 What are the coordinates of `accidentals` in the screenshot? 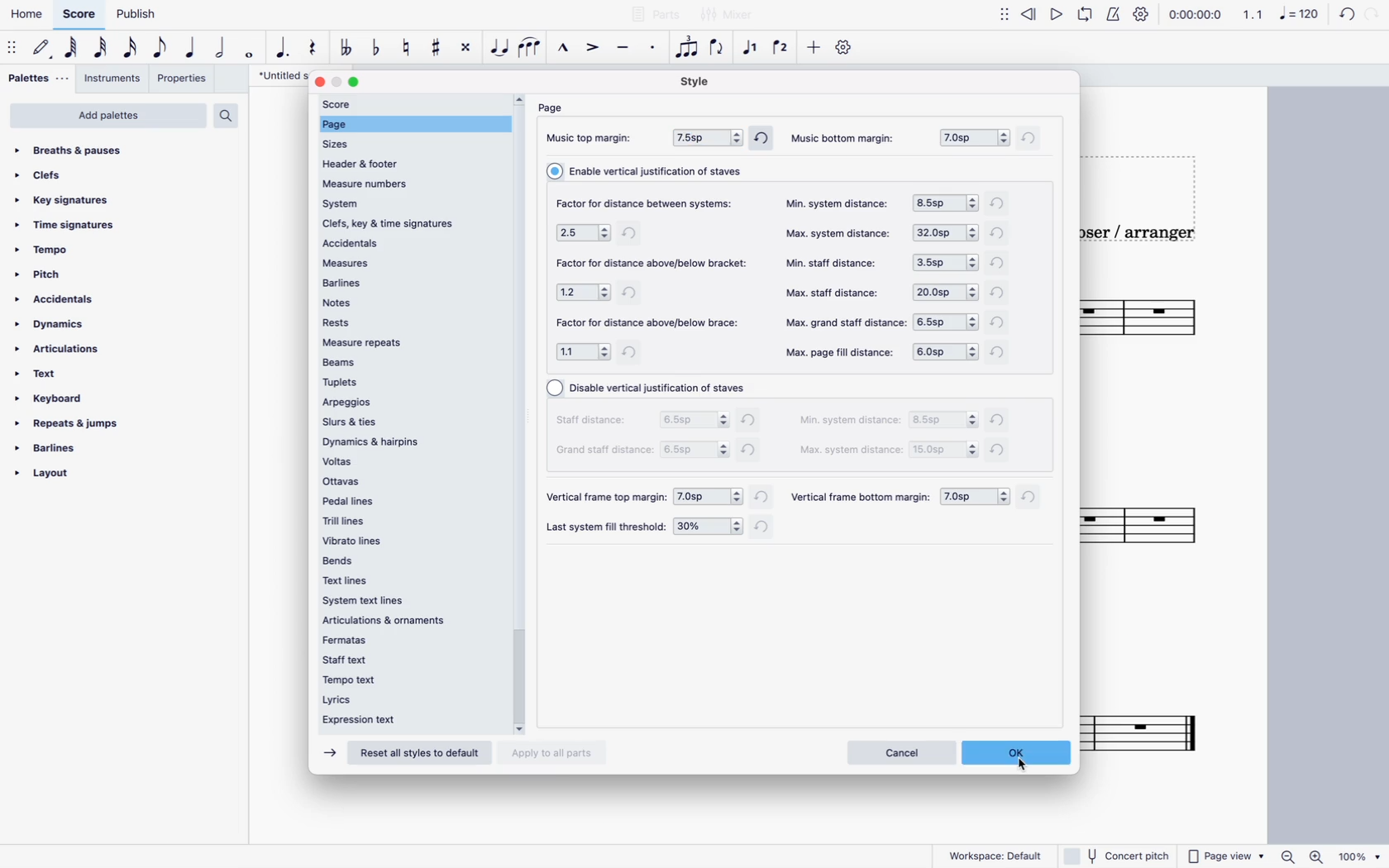 It's located at (408, 243).